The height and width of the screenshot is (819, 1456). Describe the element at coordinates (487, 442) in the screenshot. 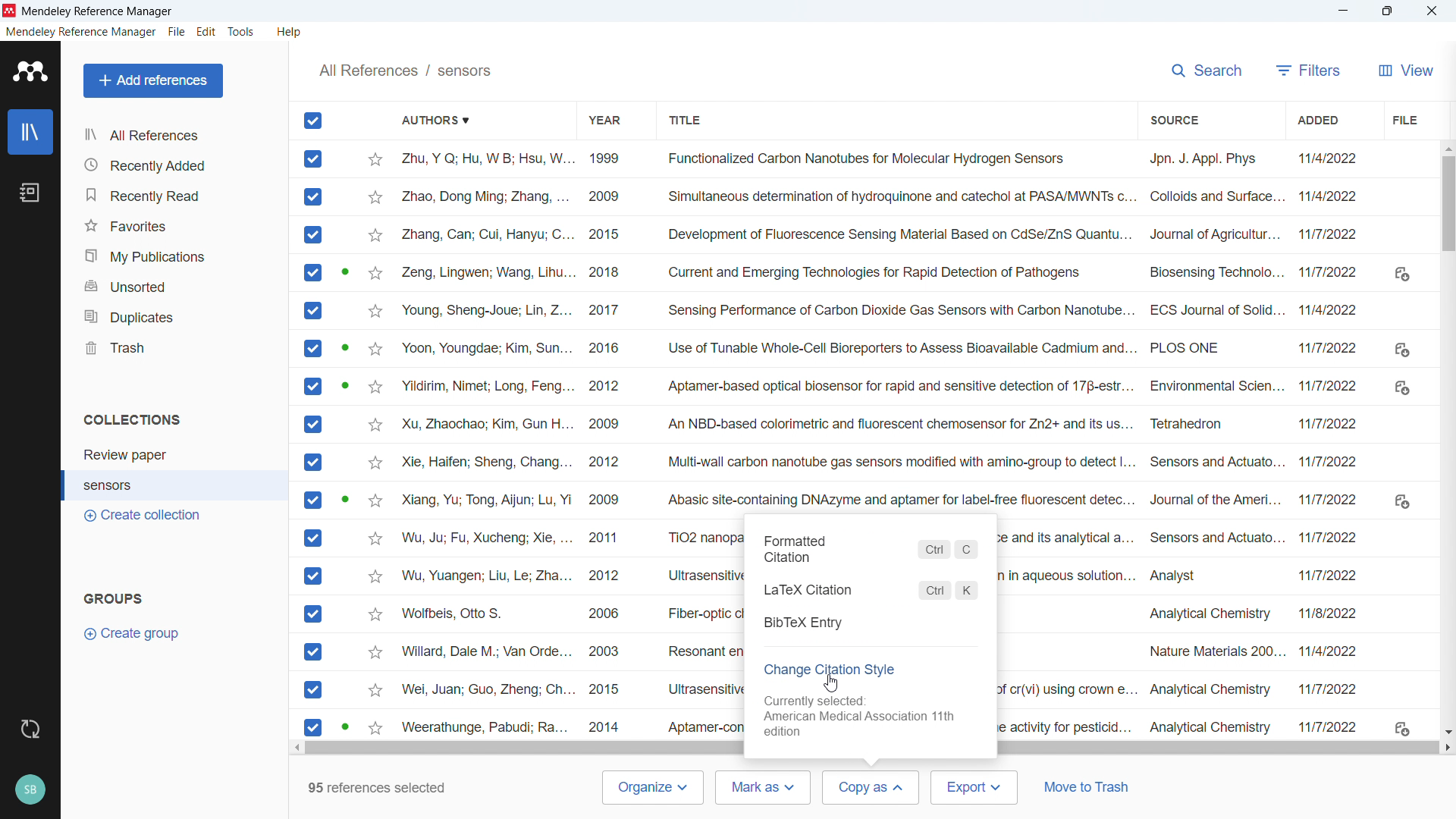

I see `Authors of individual entries ` at that location.